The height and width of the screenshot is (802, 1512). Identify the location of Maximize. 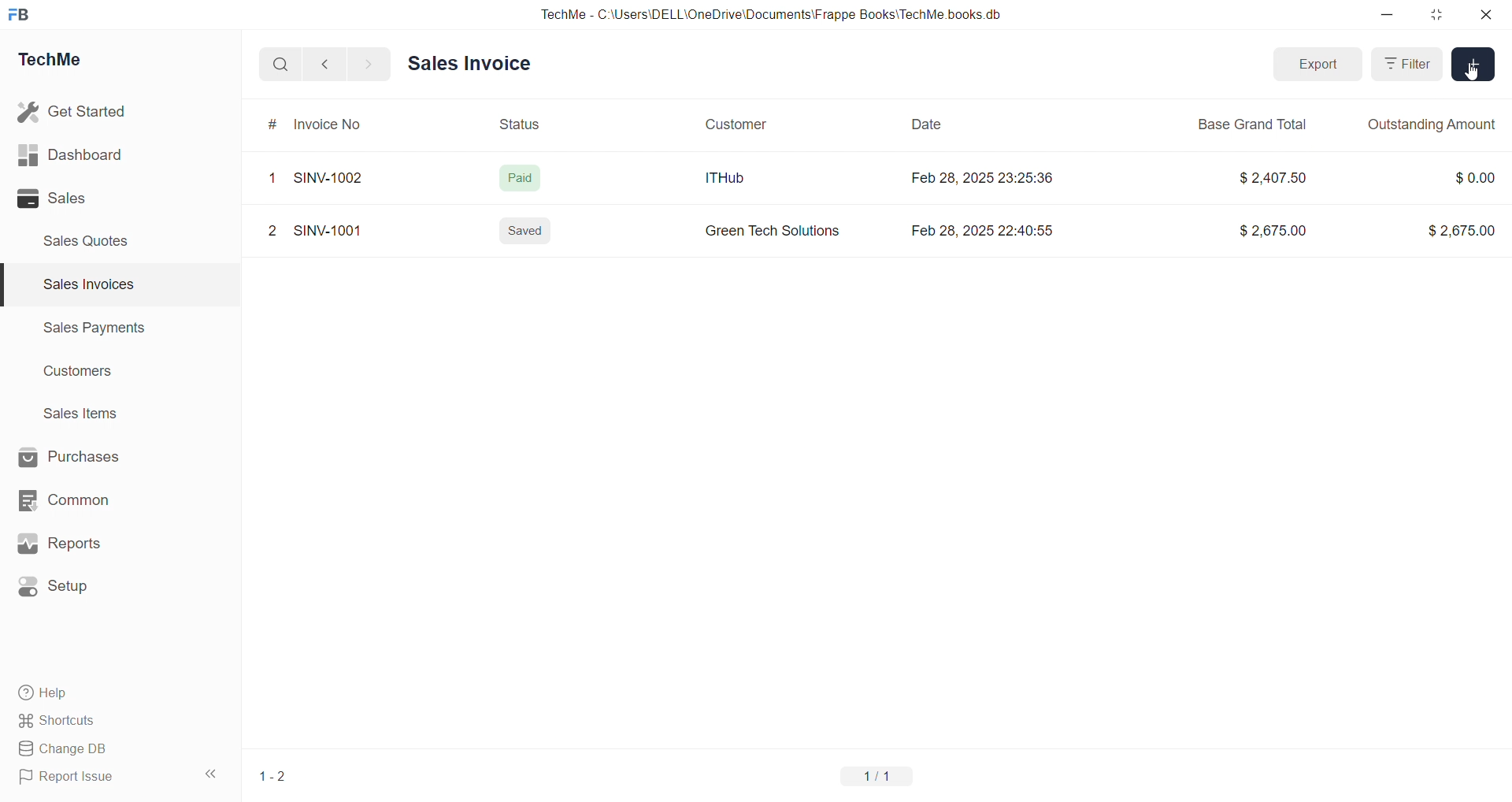
(1439, 18).